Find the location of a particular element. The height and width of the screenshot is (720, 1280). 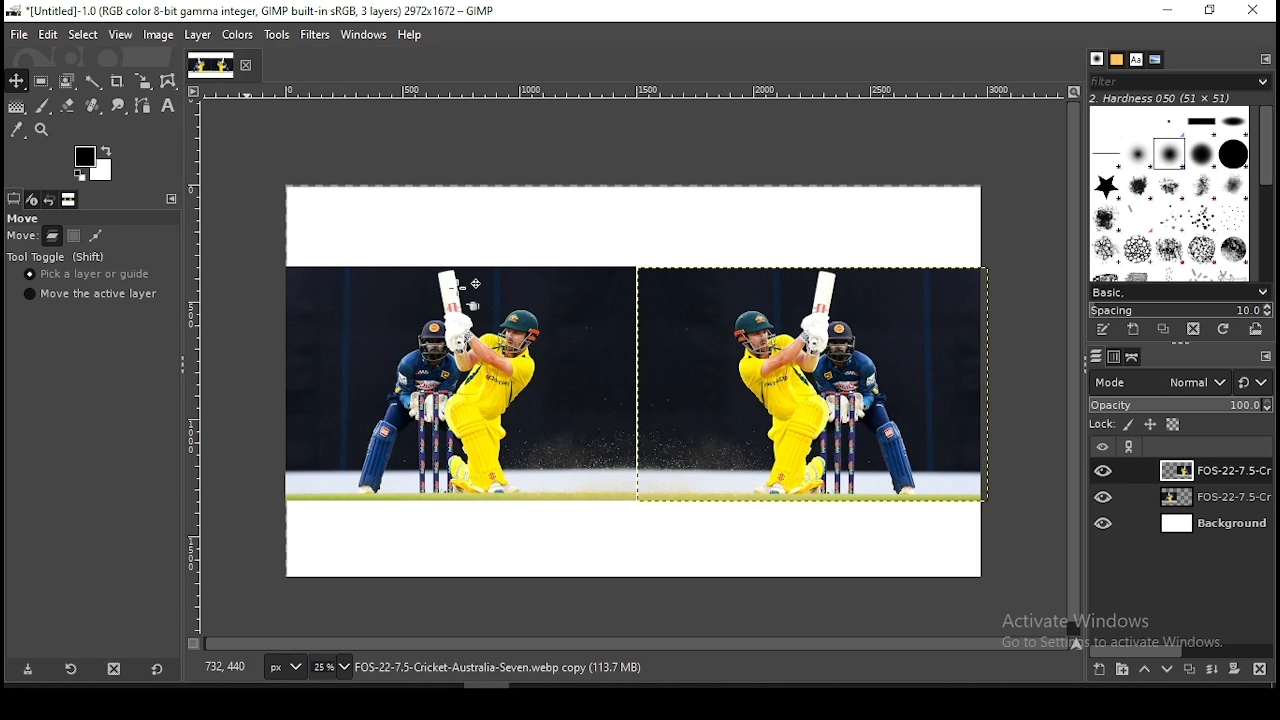

smudge tool is located at coordinates (116, 106).